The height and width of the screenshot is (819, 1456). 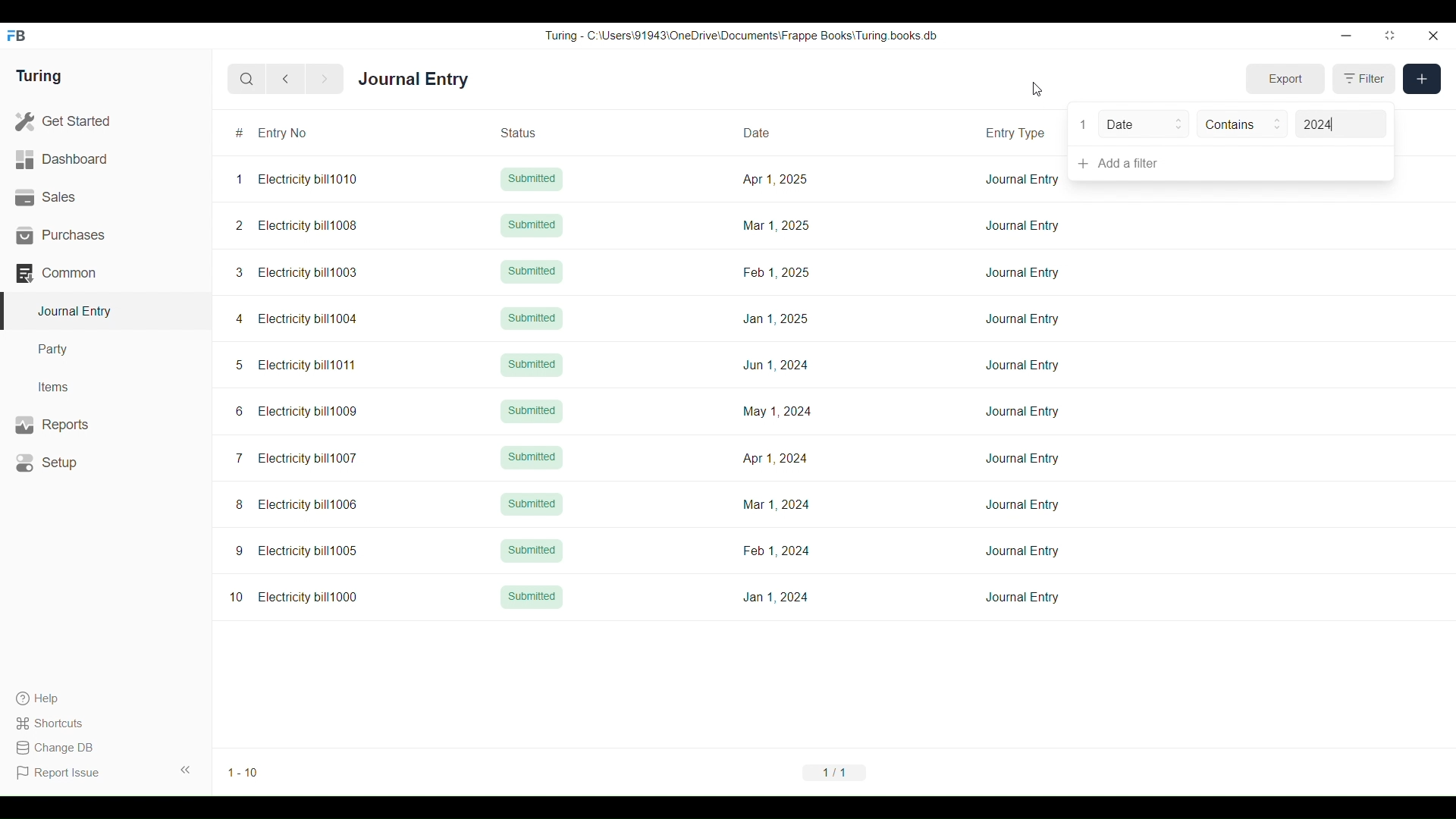 What do you see at coordinates (1084, 124) in the screenshot?
I see `1` at bounding box center [1084, 124].